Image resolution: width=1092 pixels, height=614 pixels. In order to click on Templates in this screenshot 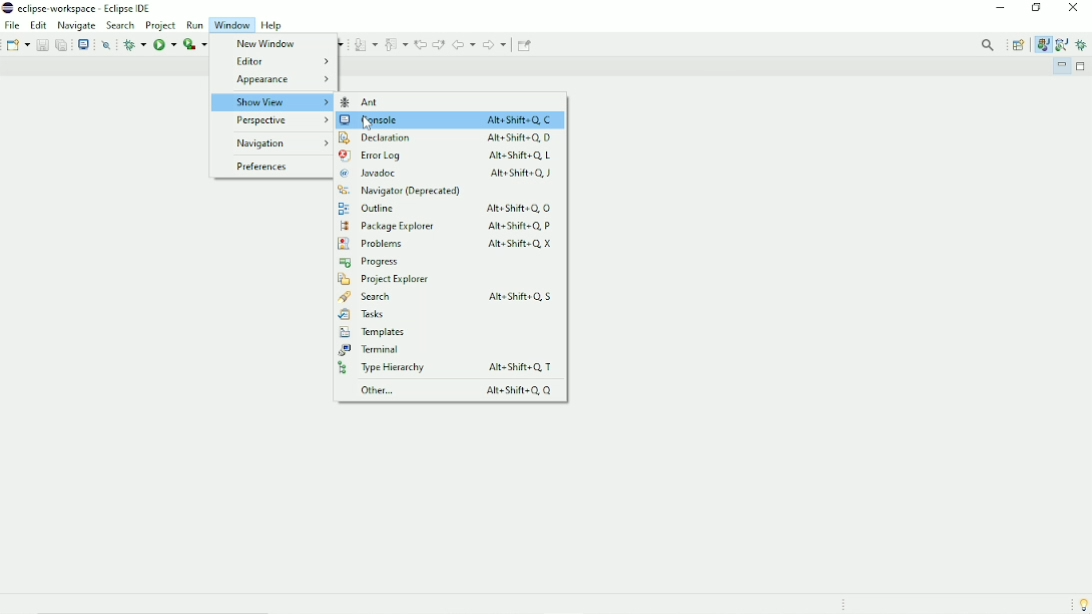, I will do `click(372, 333)`.